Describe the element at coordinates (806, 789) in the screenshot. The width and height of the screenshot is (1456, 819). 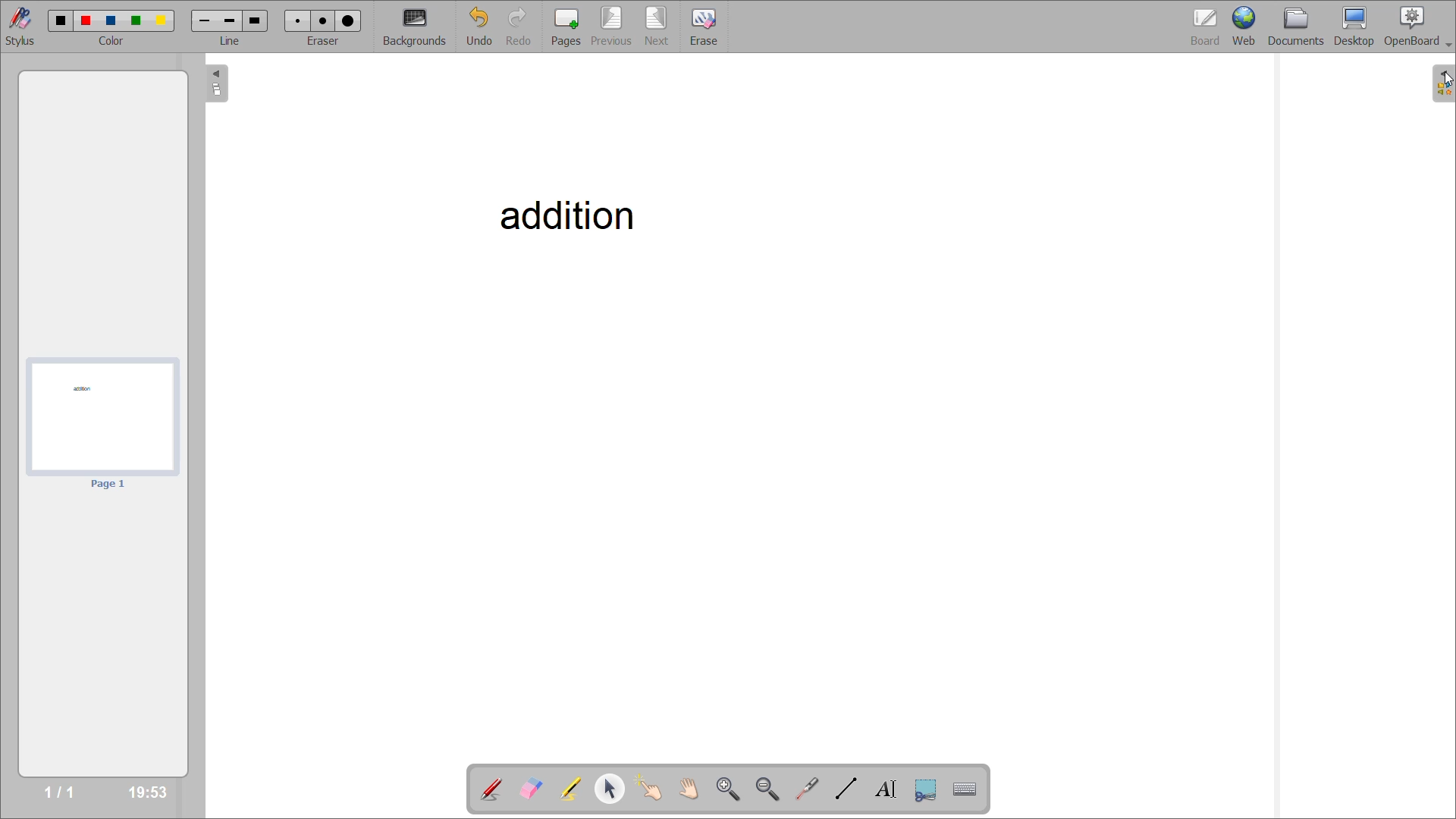
I see `virtual laser pointer` at that location.